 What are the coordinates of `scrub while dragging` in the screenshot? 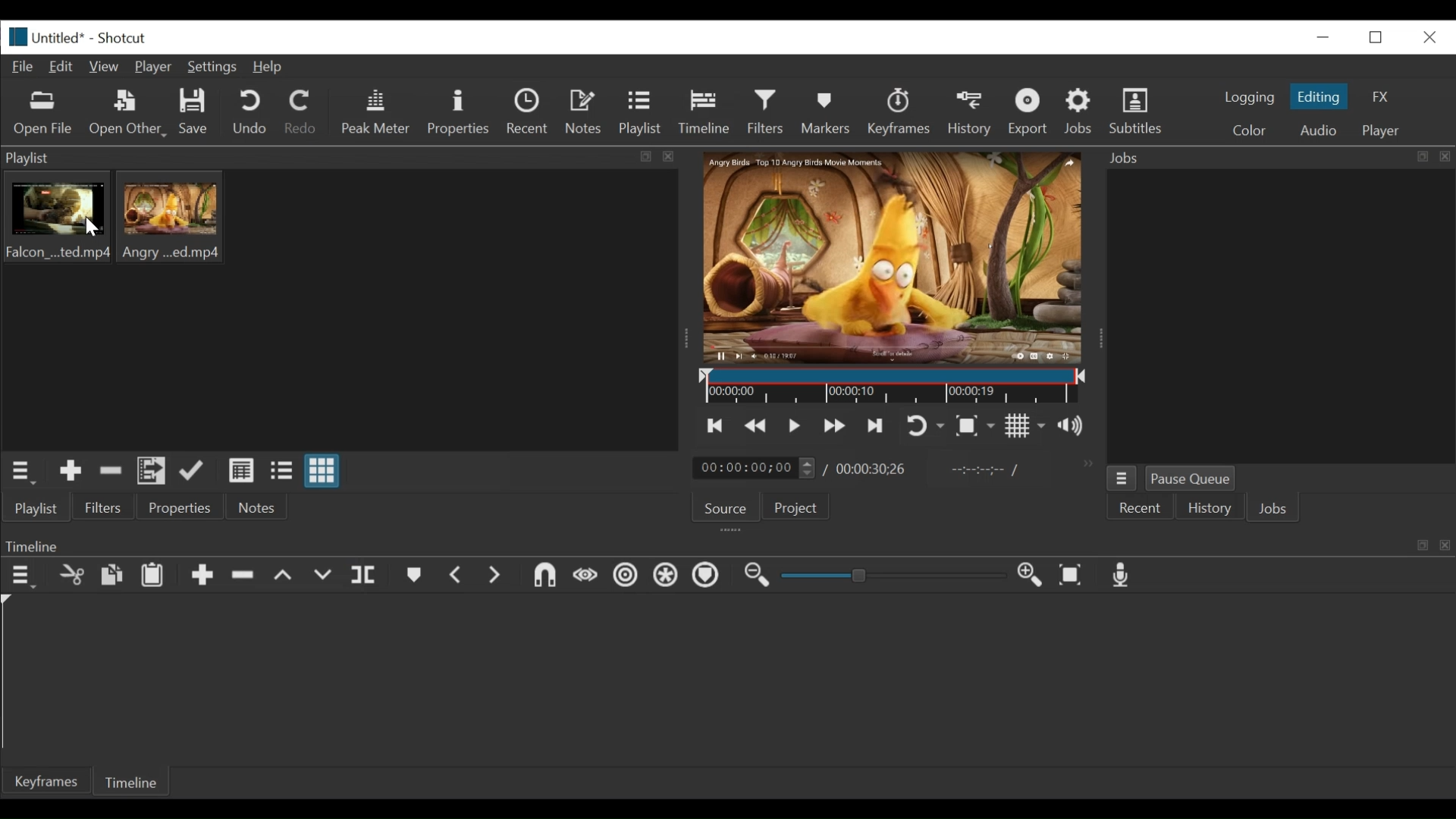 It's located at (586, 576).